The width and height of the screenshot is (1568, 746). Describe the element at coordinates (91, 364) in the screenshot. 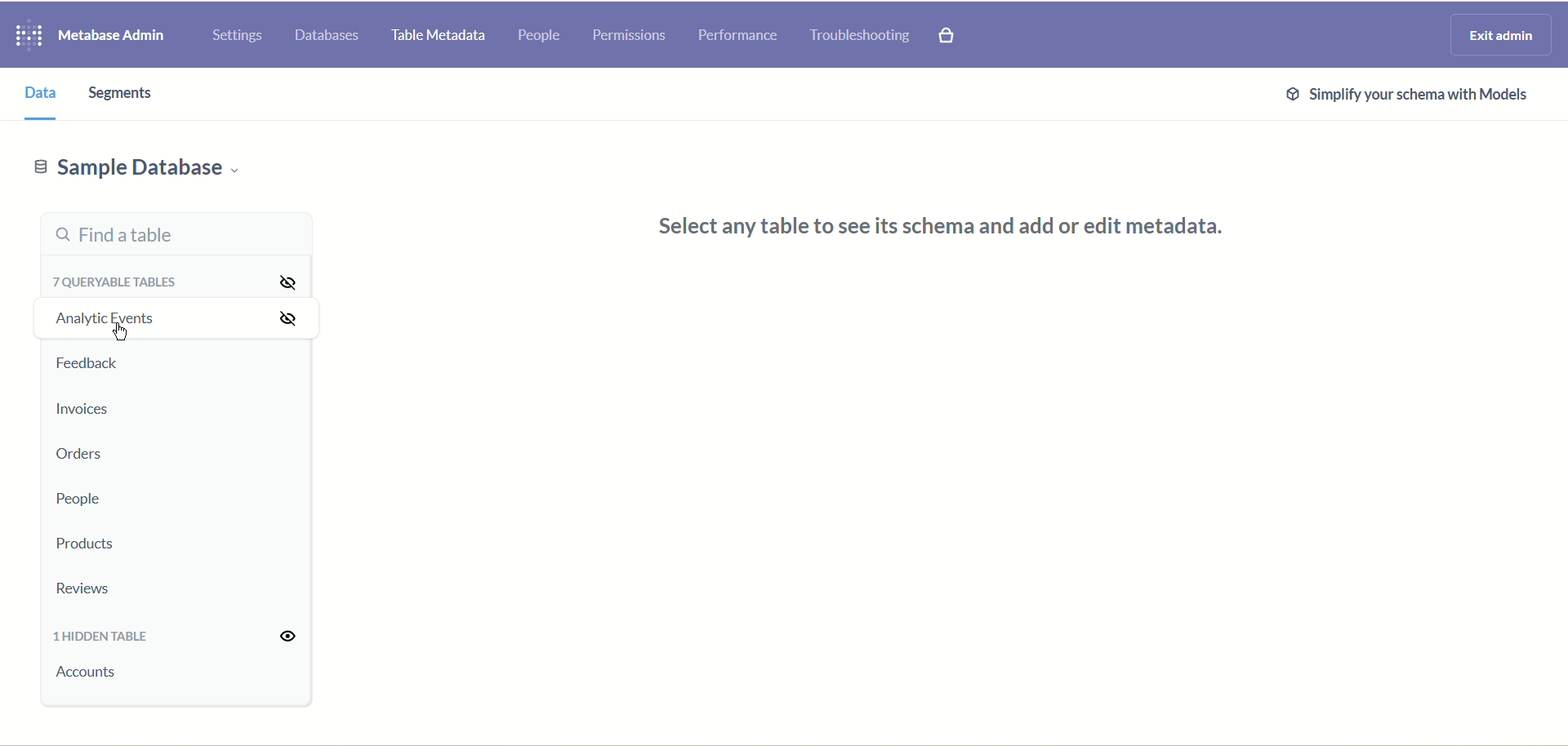

I see `feedback` at that location.